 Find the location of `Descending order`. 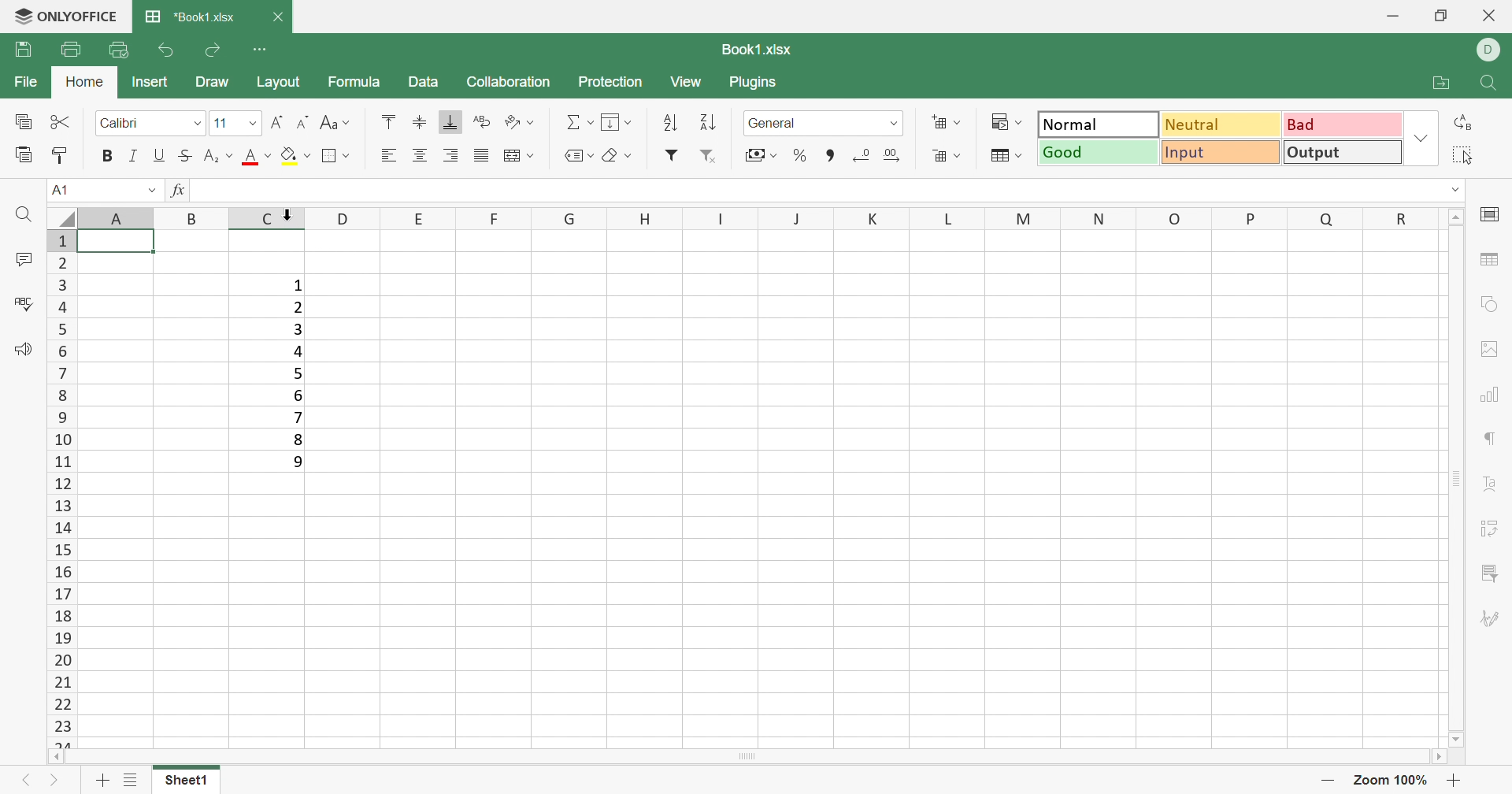

Descending order is located at coordinates (706, 121).